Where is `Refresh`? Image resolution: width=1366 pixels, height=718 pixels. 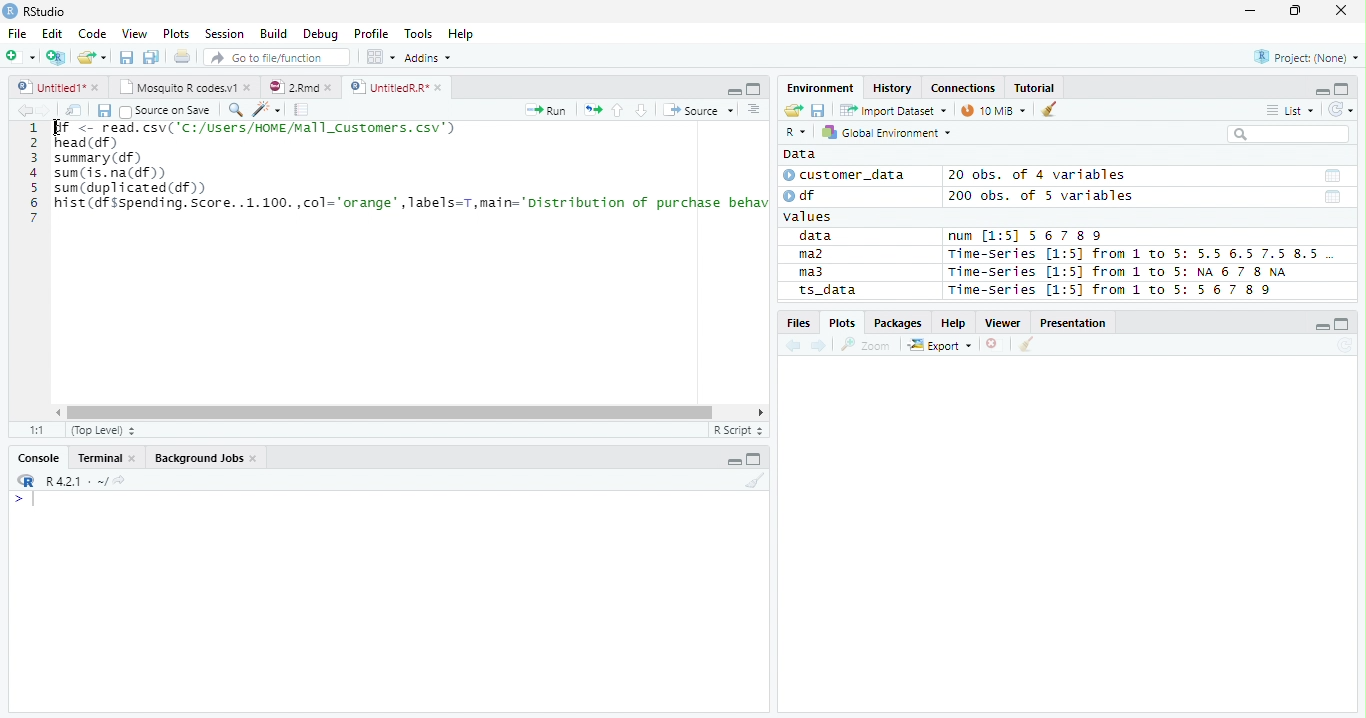 Refresh is located at coordinates (1345, 346).